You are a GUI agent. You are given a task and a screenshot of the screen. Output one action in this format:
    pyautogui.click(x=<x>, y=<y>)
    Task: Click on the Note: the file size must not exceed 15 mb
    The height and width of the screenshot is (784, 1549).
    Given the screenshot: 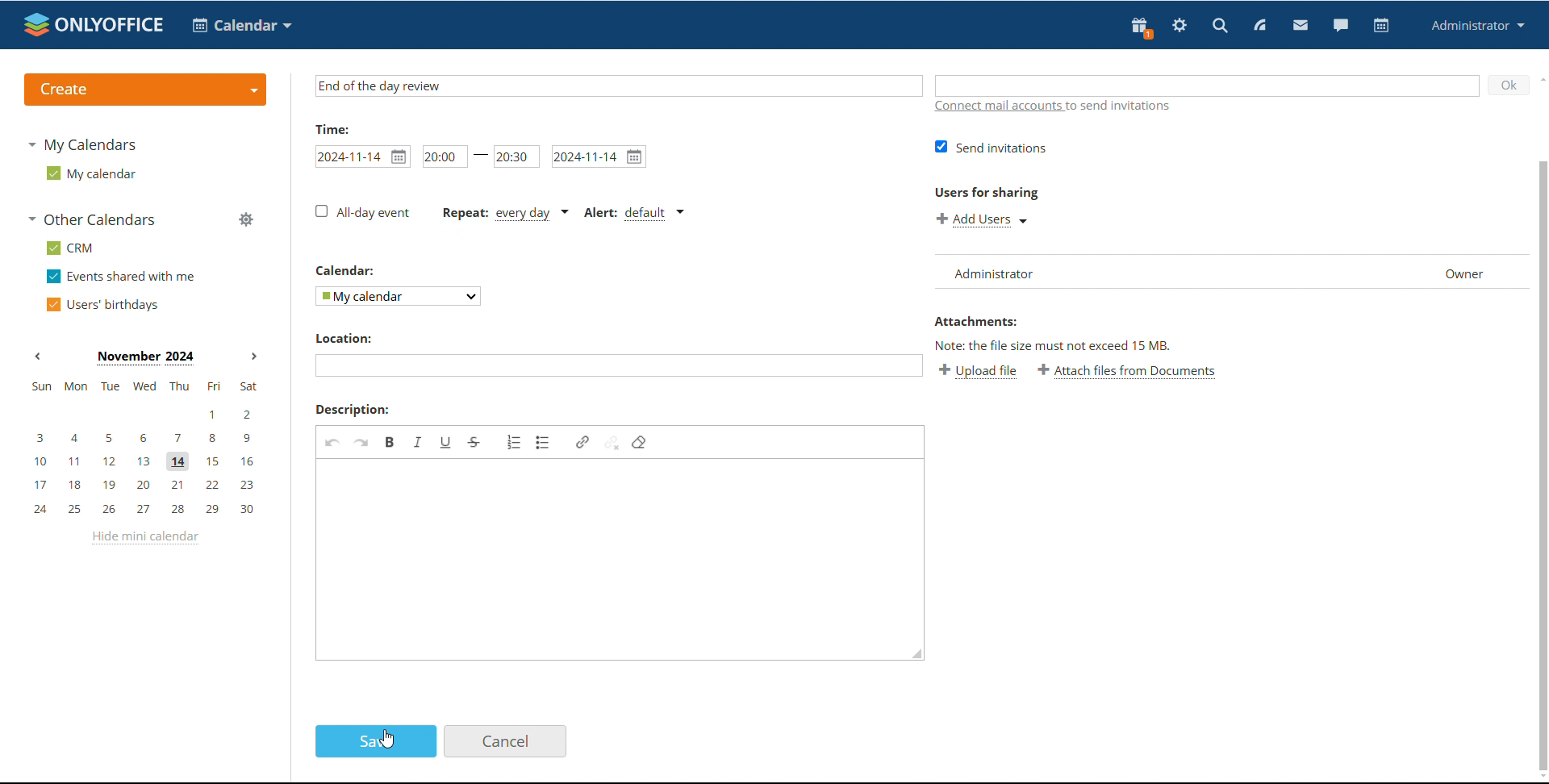 What is the action you would take?
    pyautogui.click(x=1054, y=345)
    